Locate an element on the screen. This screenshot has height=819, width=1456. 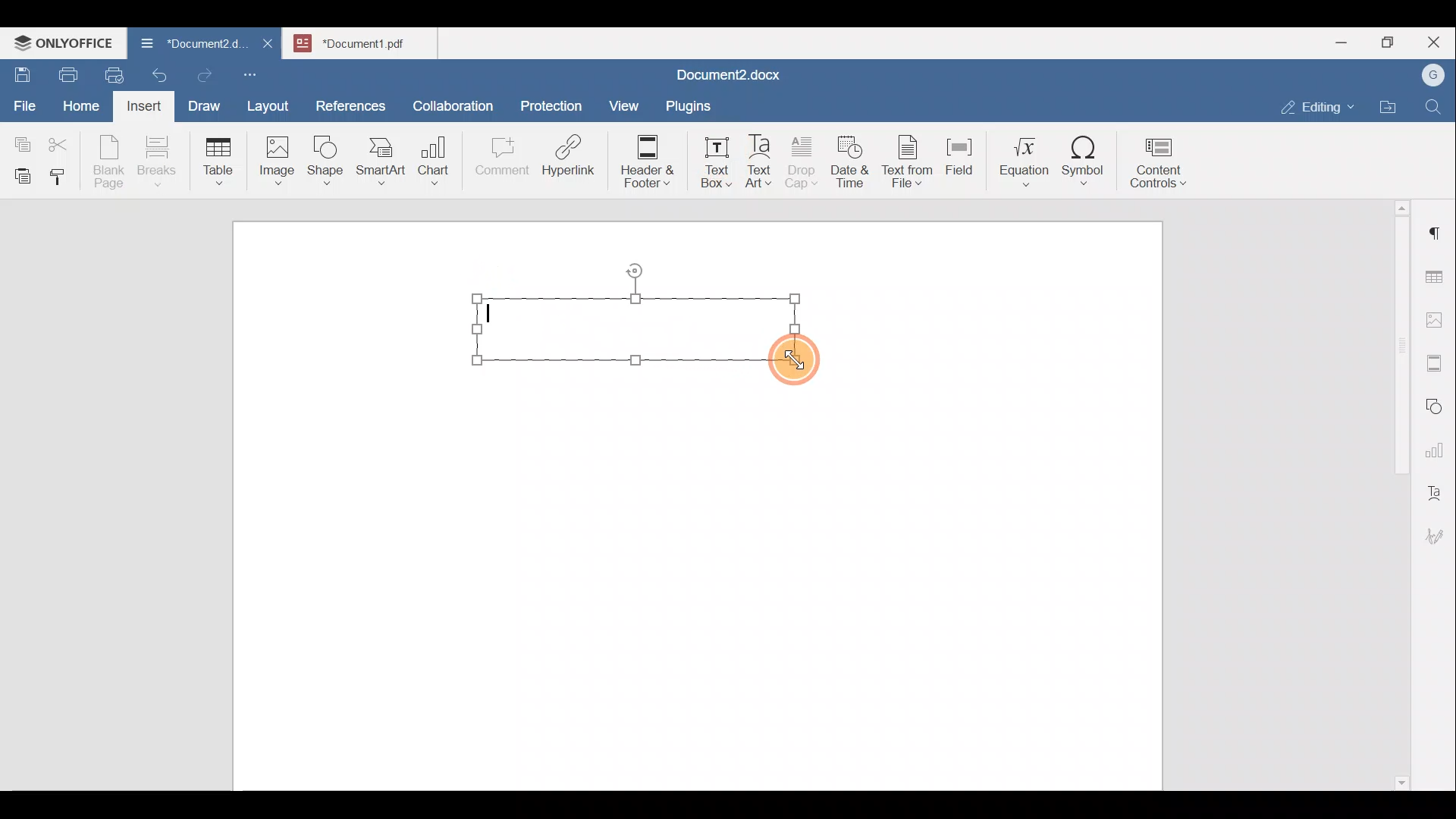
Redo is located at coordinates (204, 76).